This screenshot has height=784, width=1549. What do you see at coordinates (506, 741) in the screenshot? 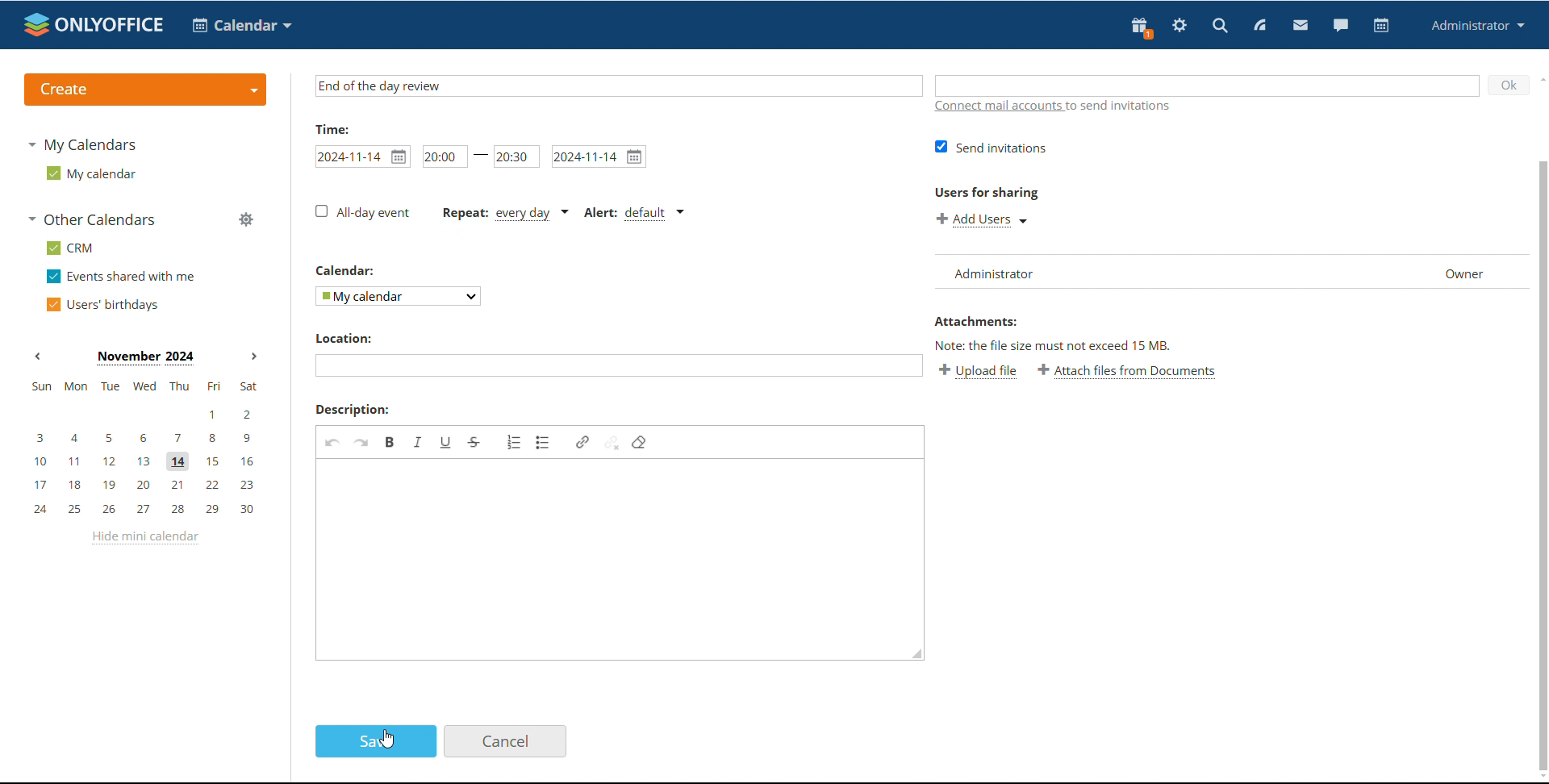
I see `cancel` at bounding box center [506, 741].